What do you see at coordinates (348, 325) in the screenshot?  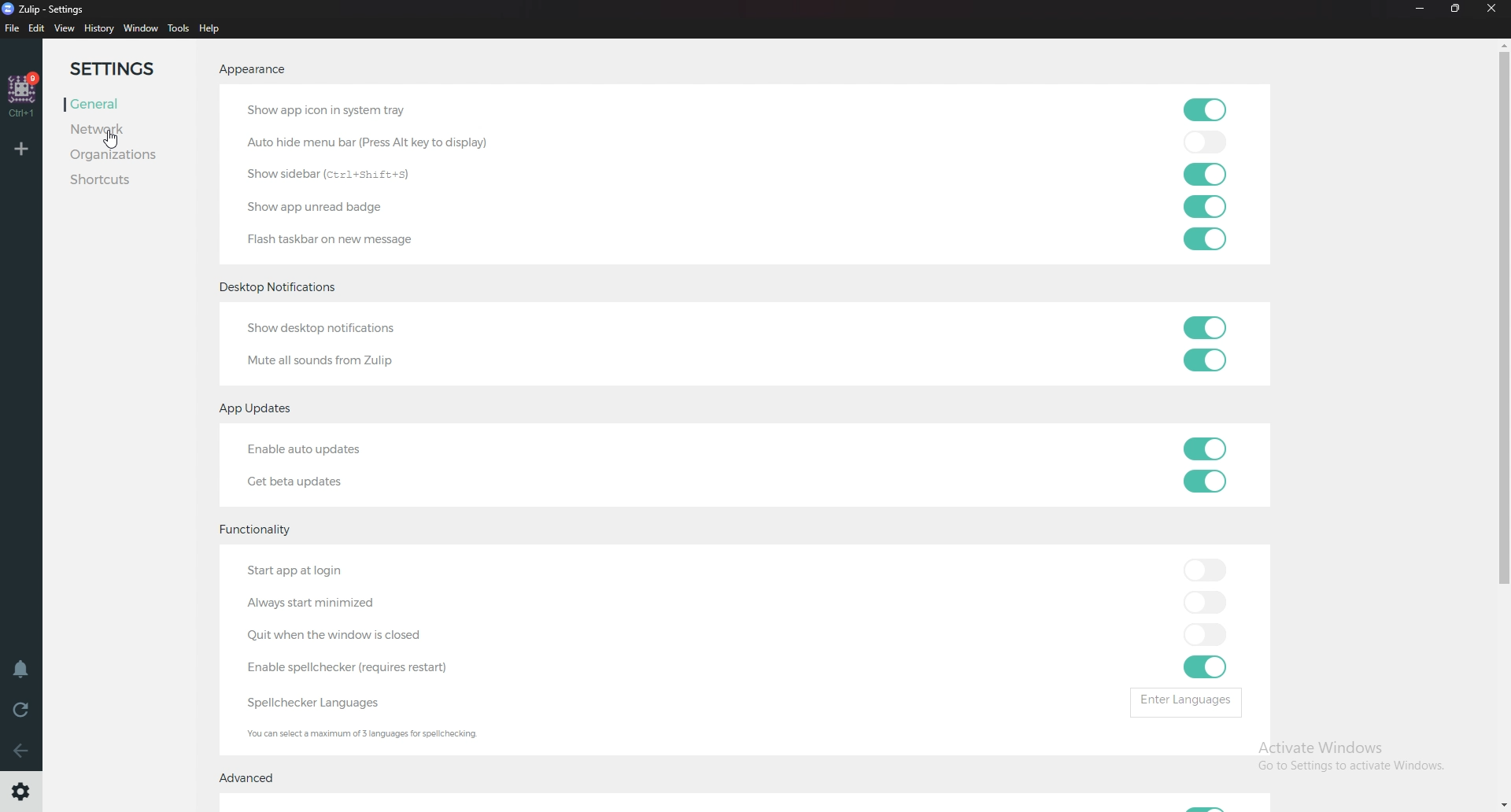 I see `Show desktop notifications` at bounding box center [348, 325].